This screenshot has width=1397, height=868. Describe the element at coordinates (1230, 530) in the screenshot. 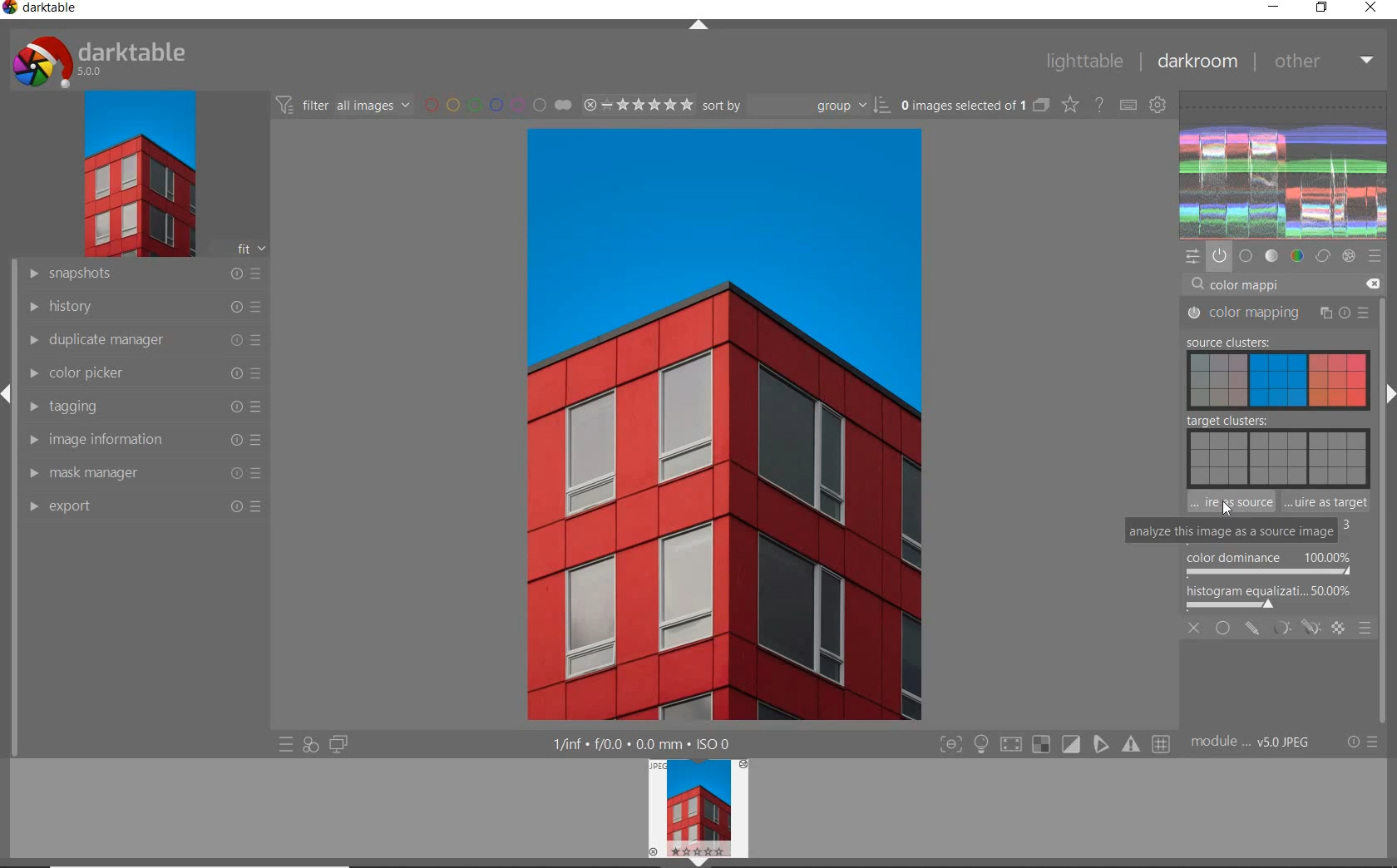

I see `ANALYZE THIS IMAGE AS SOURCE IMAGE` at that location.